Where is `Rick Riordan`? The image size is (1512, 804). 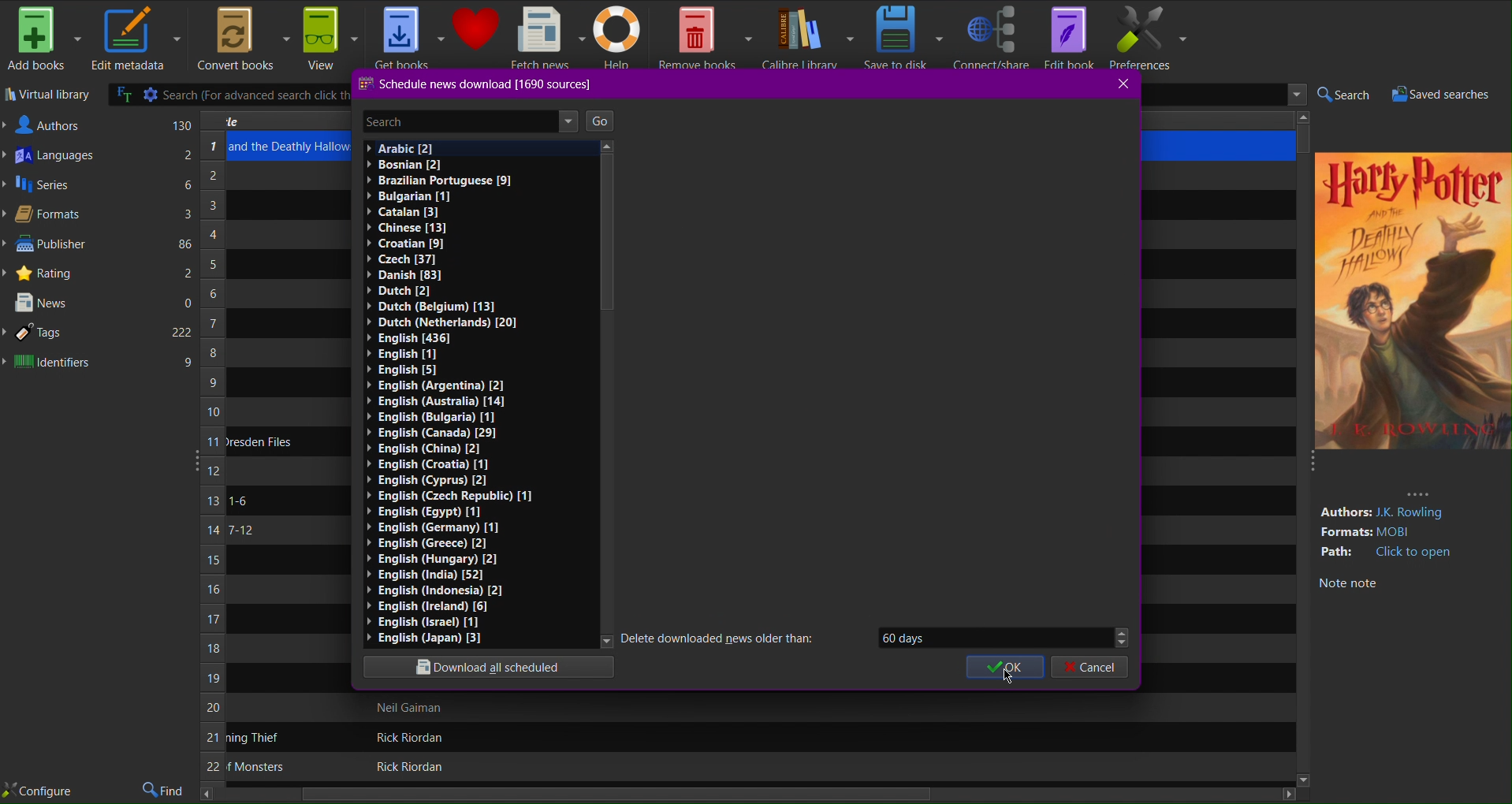
Rick Riordan is located at coordinates (407, 767).